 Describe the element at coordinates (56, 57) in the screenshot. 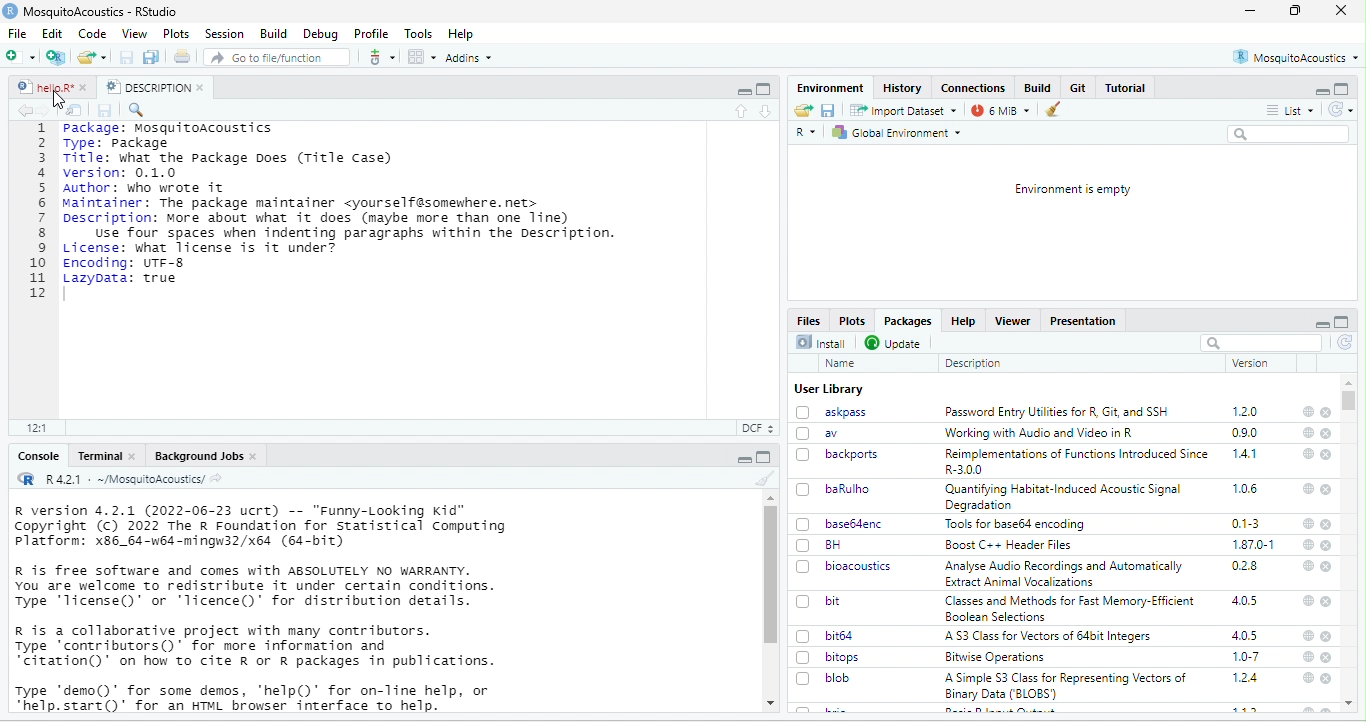

I see `create a project` at that location.